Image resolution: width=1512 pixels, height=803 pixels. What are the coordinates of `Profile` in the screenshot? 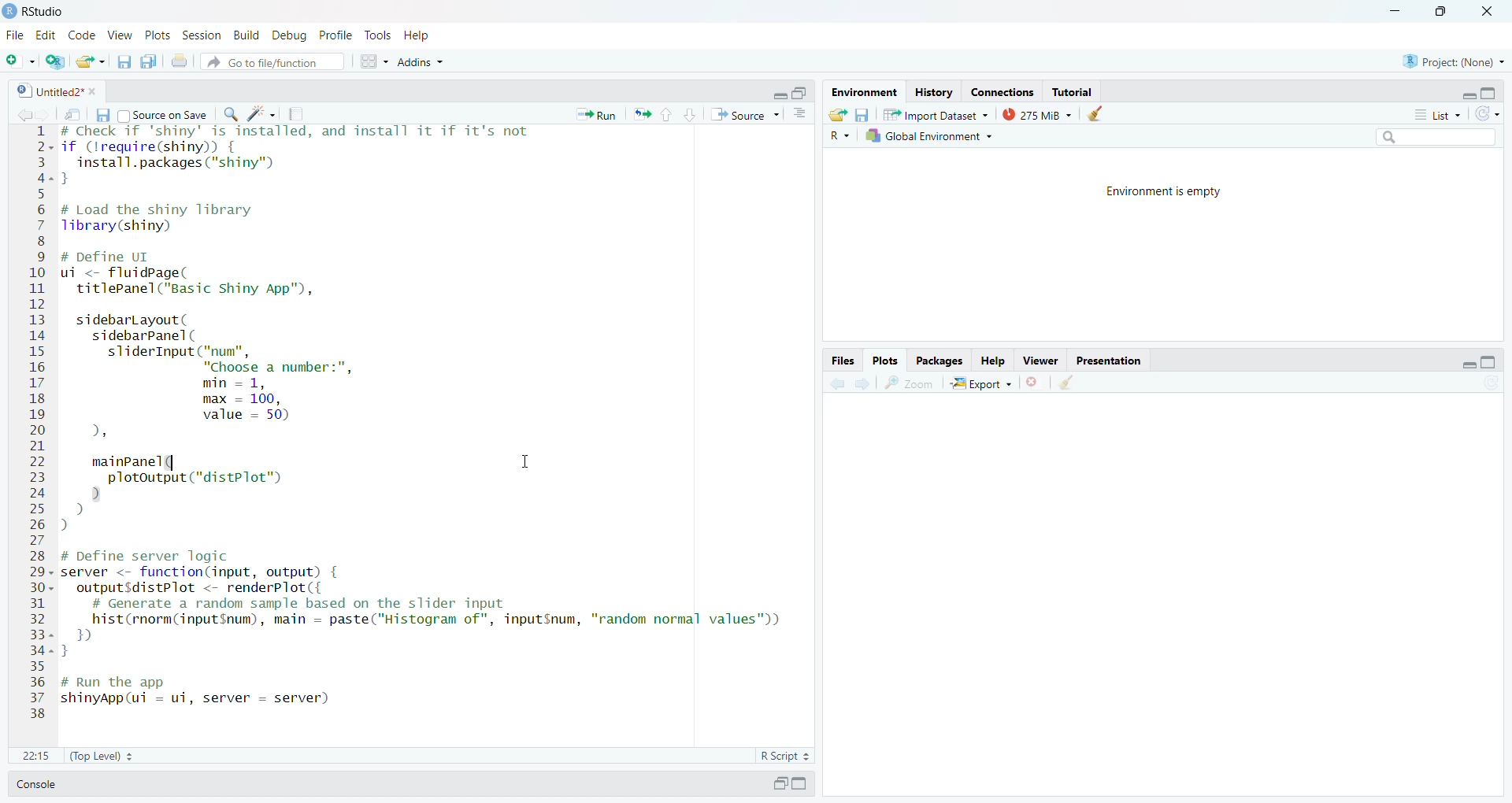 It's located at (335, 35).